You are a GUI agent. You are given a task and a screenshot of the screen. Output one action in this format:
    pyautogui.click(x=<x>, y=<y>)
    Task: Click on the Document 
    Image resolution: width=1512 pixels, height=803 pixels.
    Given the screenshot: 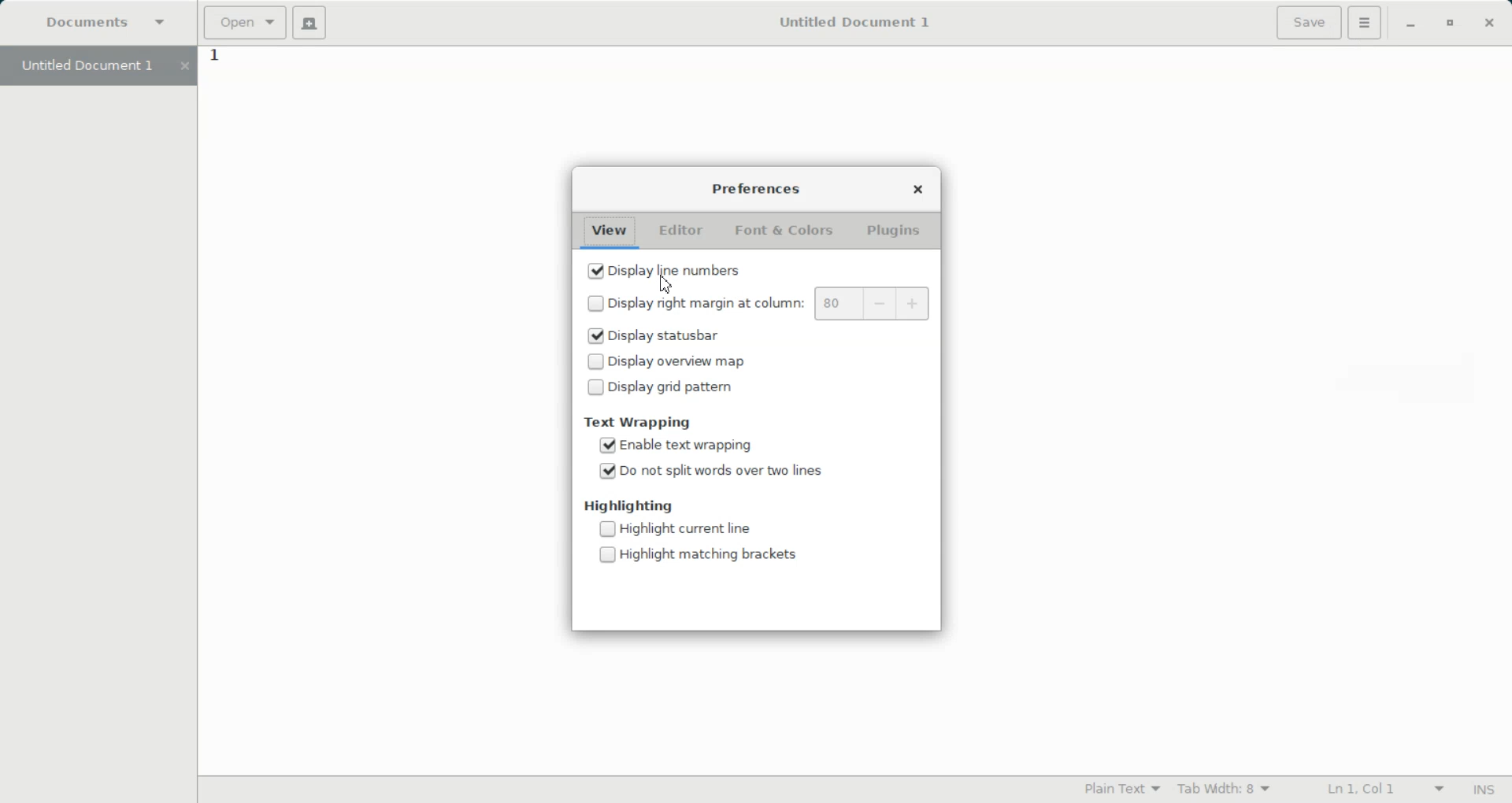 What is the action you would take?
    pyautogui.click(x=110, y=24)
    